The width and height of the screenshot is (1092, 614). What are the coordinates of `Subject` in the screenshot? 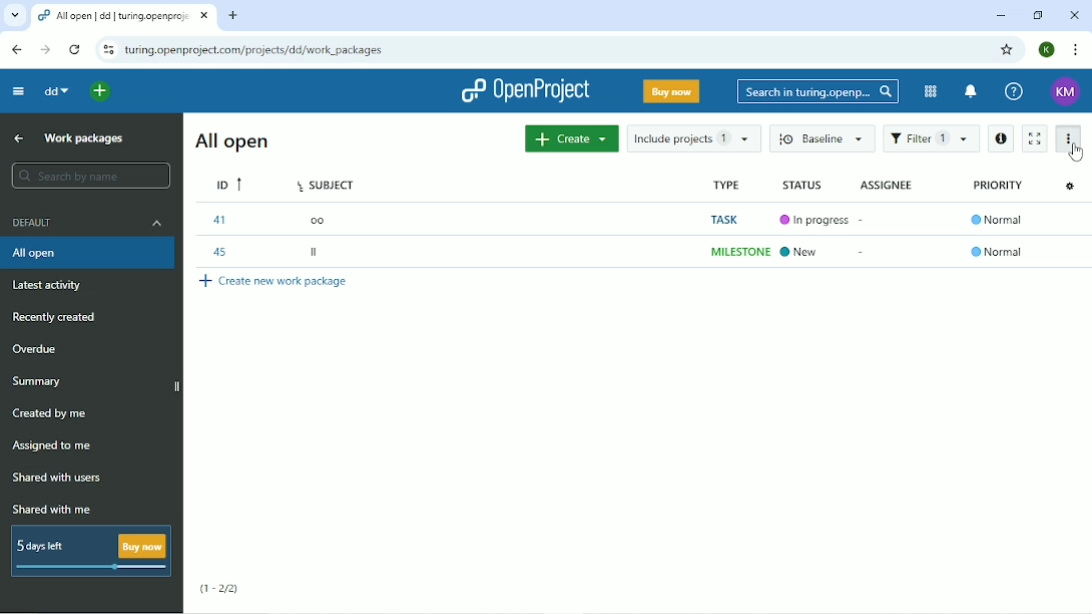 It's located at (327, 183).